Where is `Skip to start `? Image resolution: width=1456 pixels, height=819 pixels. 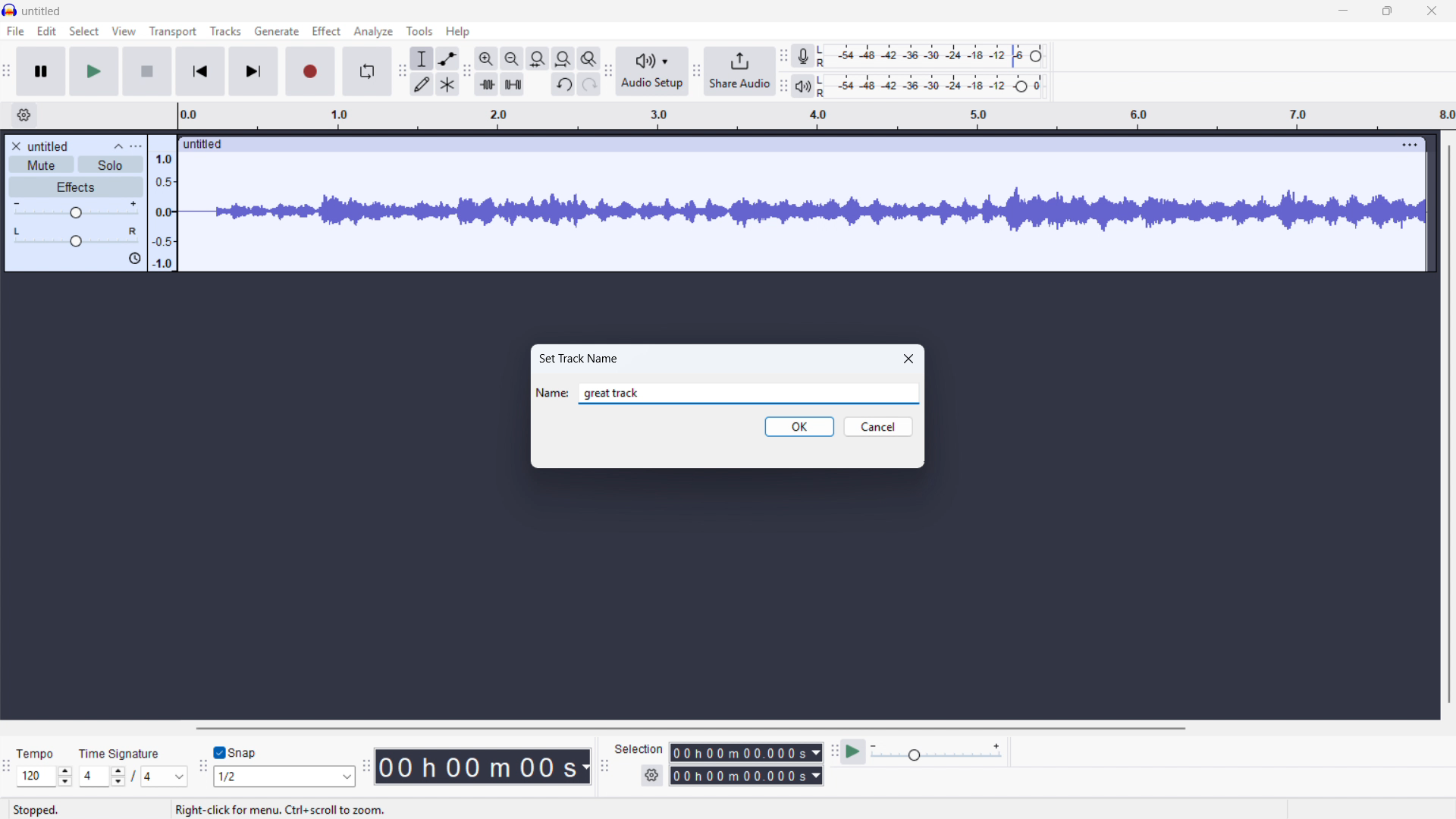
Skip to start  is located at coordinates (199, 72).